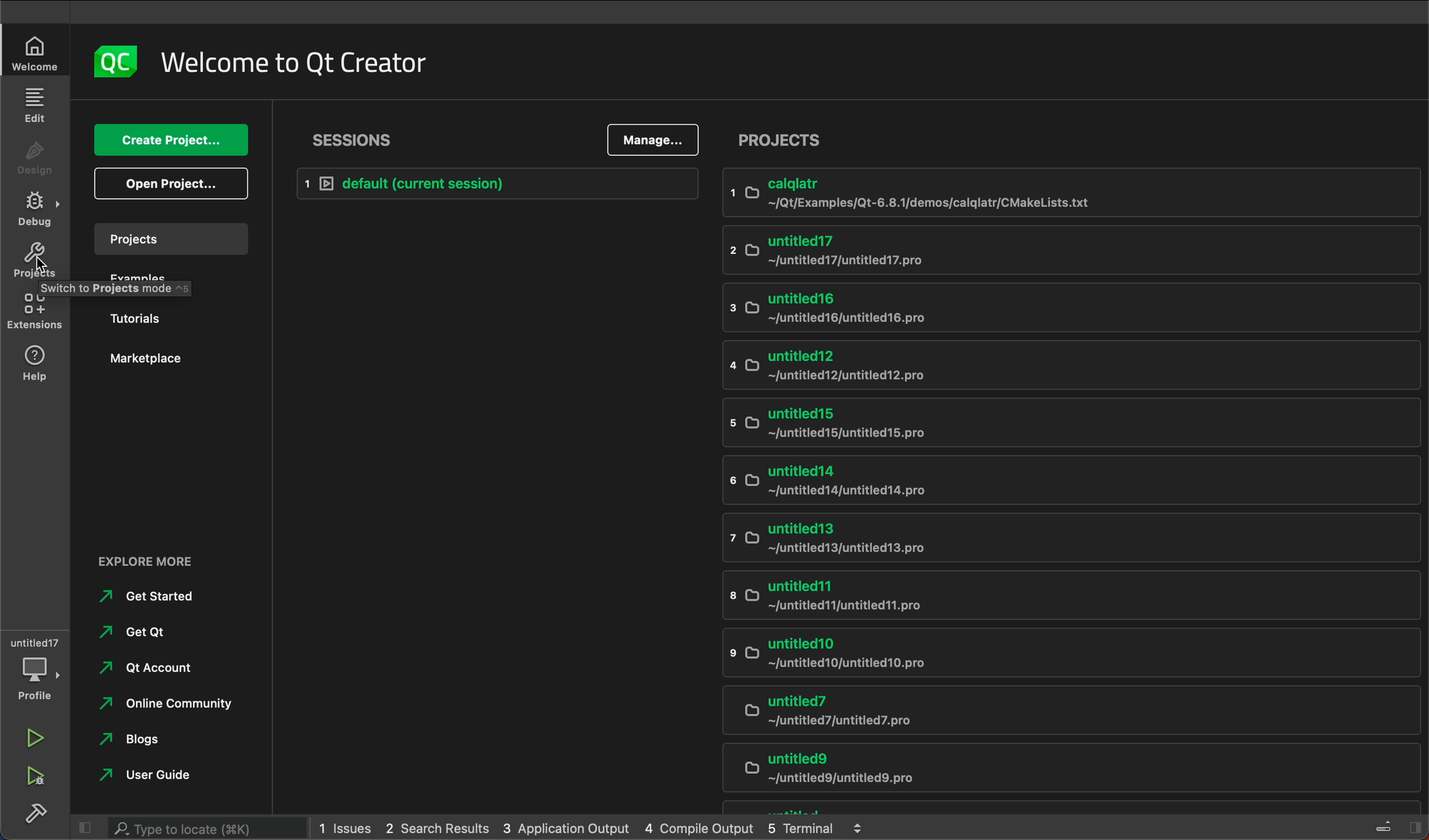  What do you see at coordinates (36, 52) in the screenshot?
I see `welcome` at bounding box center [36, 52].